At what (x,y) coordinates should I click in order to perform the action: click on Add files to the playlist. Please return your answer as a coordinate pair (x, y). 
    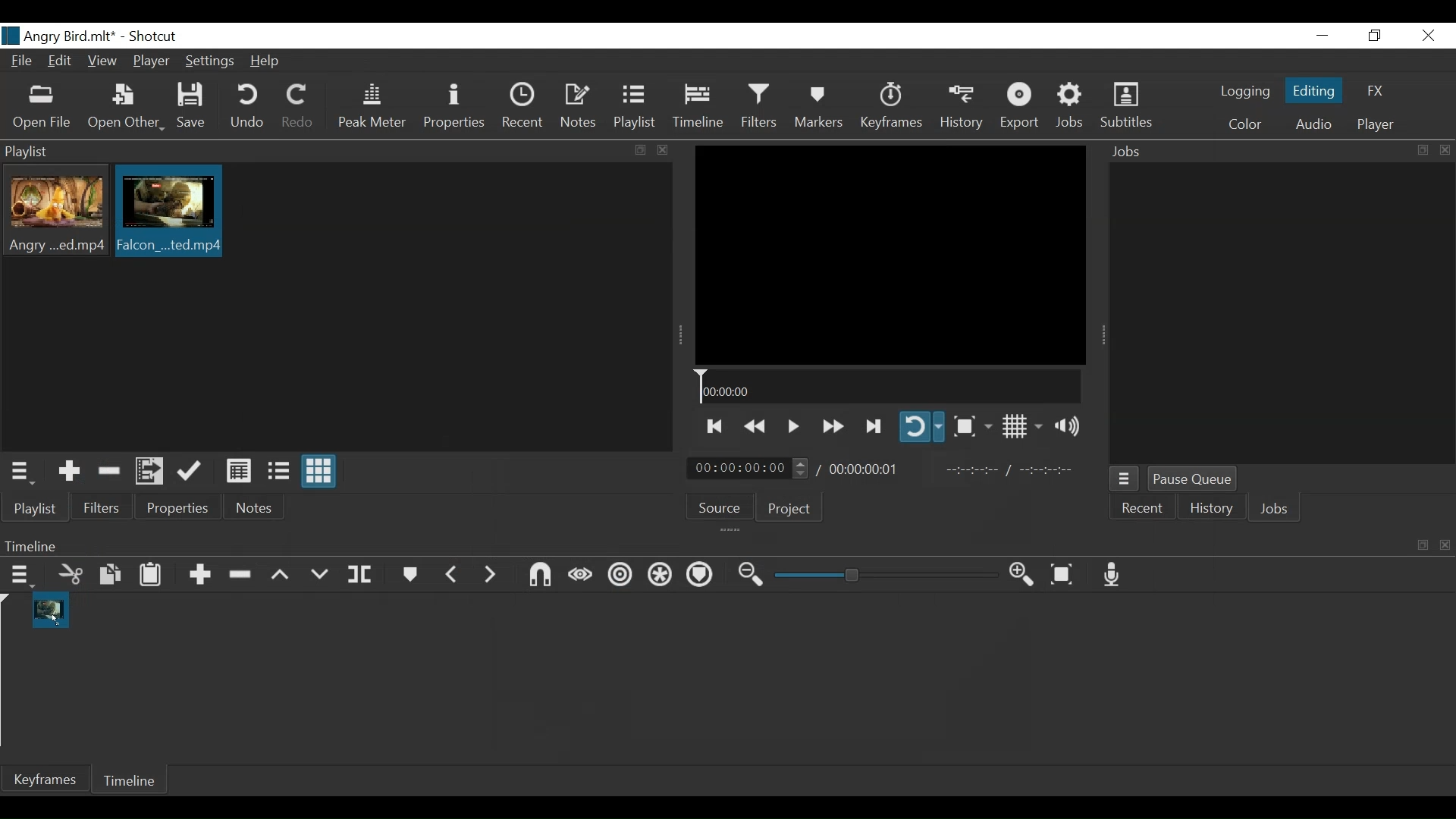
    Looking at the image, I should click on (152, 469).